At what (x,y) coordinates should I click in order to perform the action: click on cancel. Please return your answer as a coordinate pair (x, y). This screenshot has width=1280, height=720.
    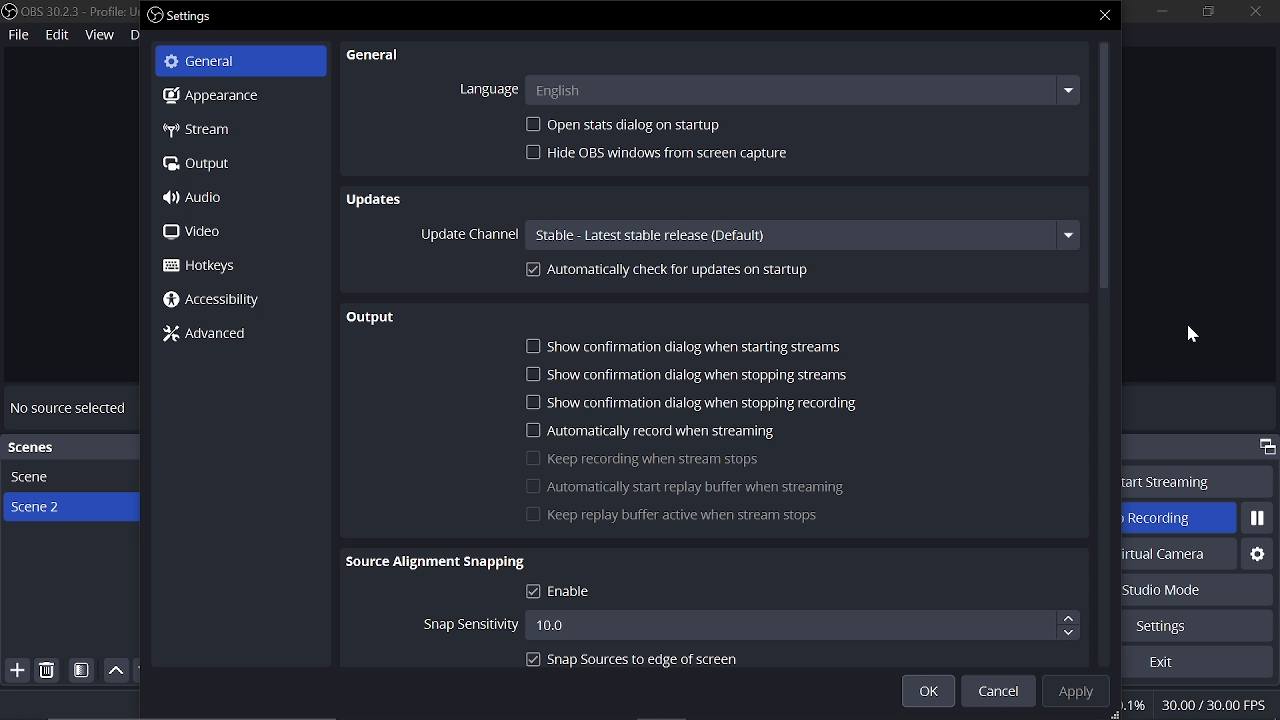
    Looking at the image, I should click on (997, 692).